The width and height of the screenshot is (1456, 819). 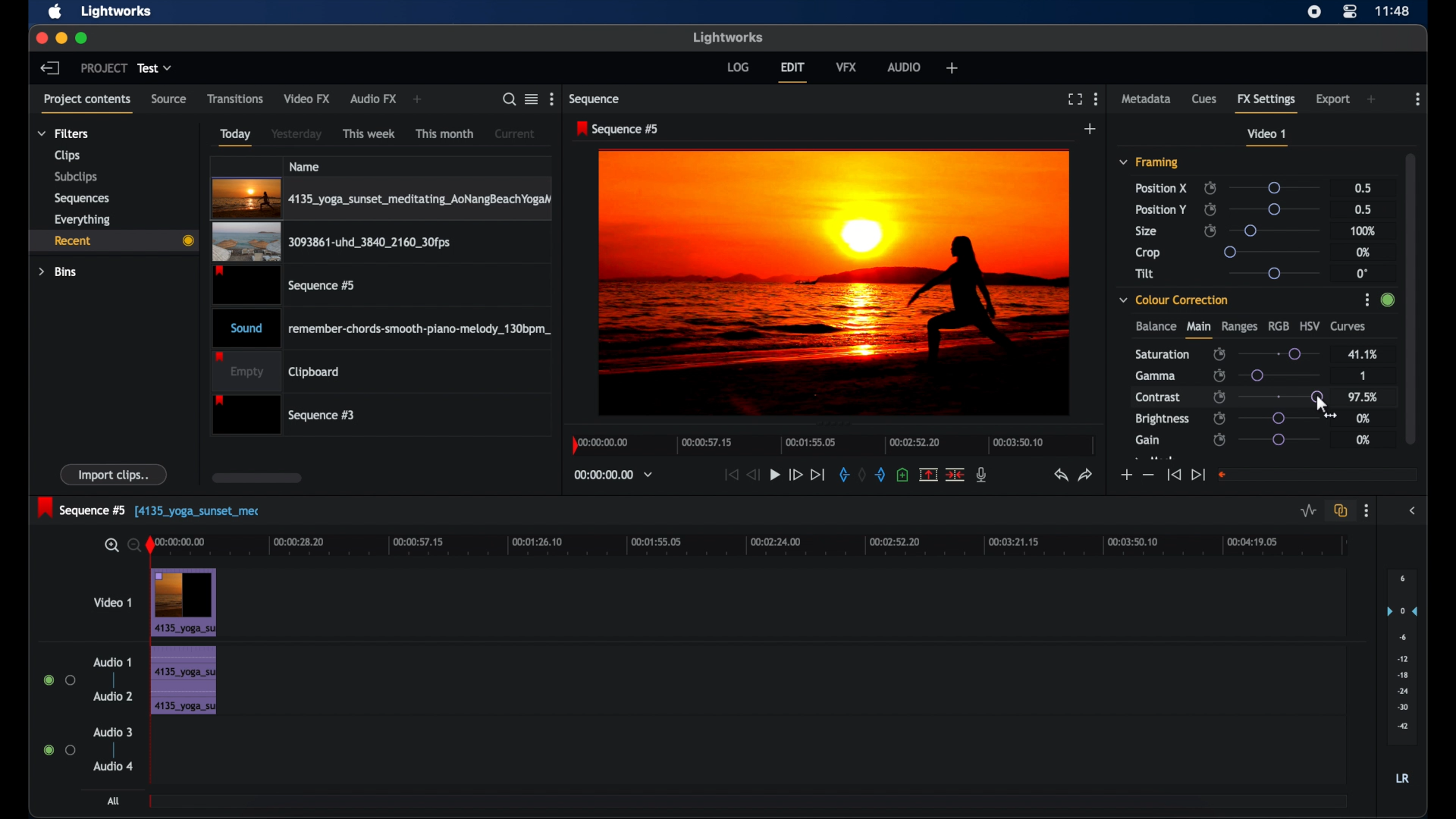 I want to click on 1, so click(x=1360, y=375).